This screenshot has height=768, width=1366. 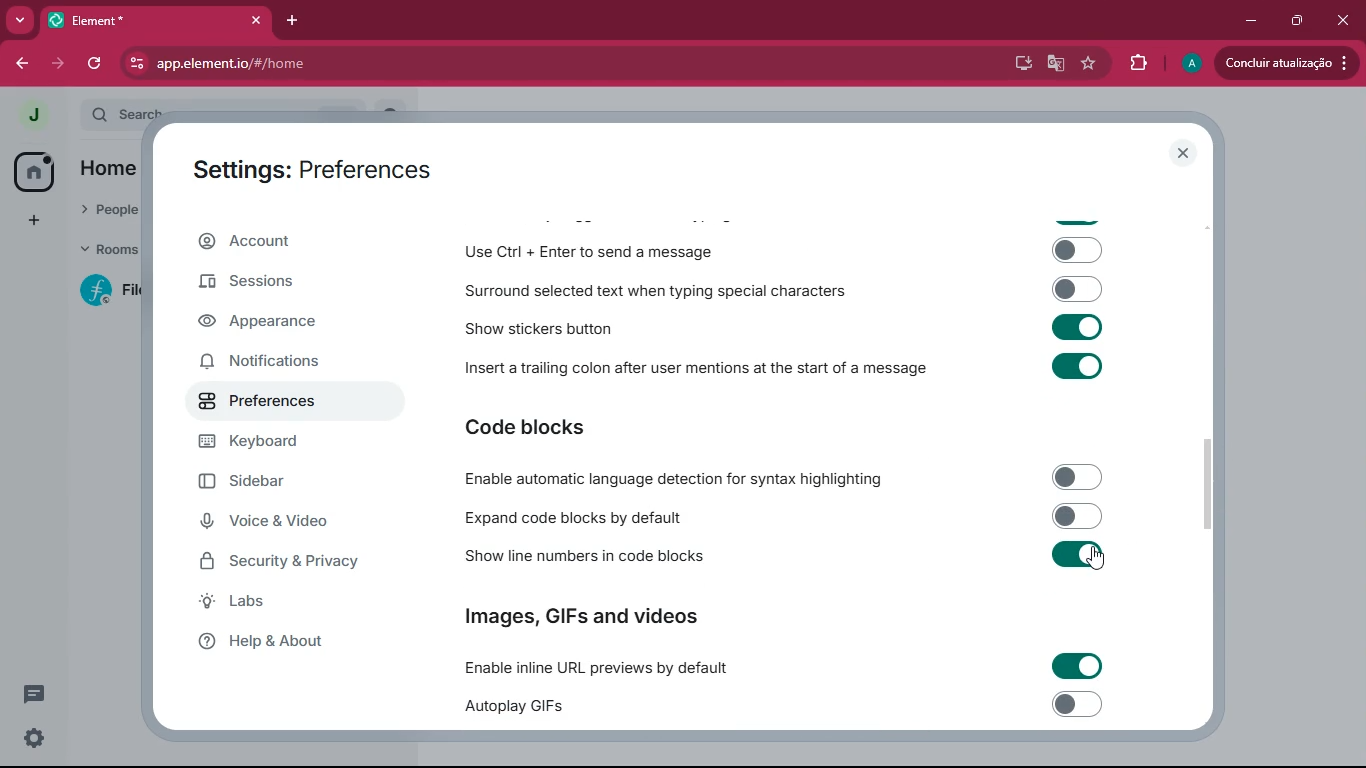 I want to click on search ctrl k, so click(x=234, y=115).